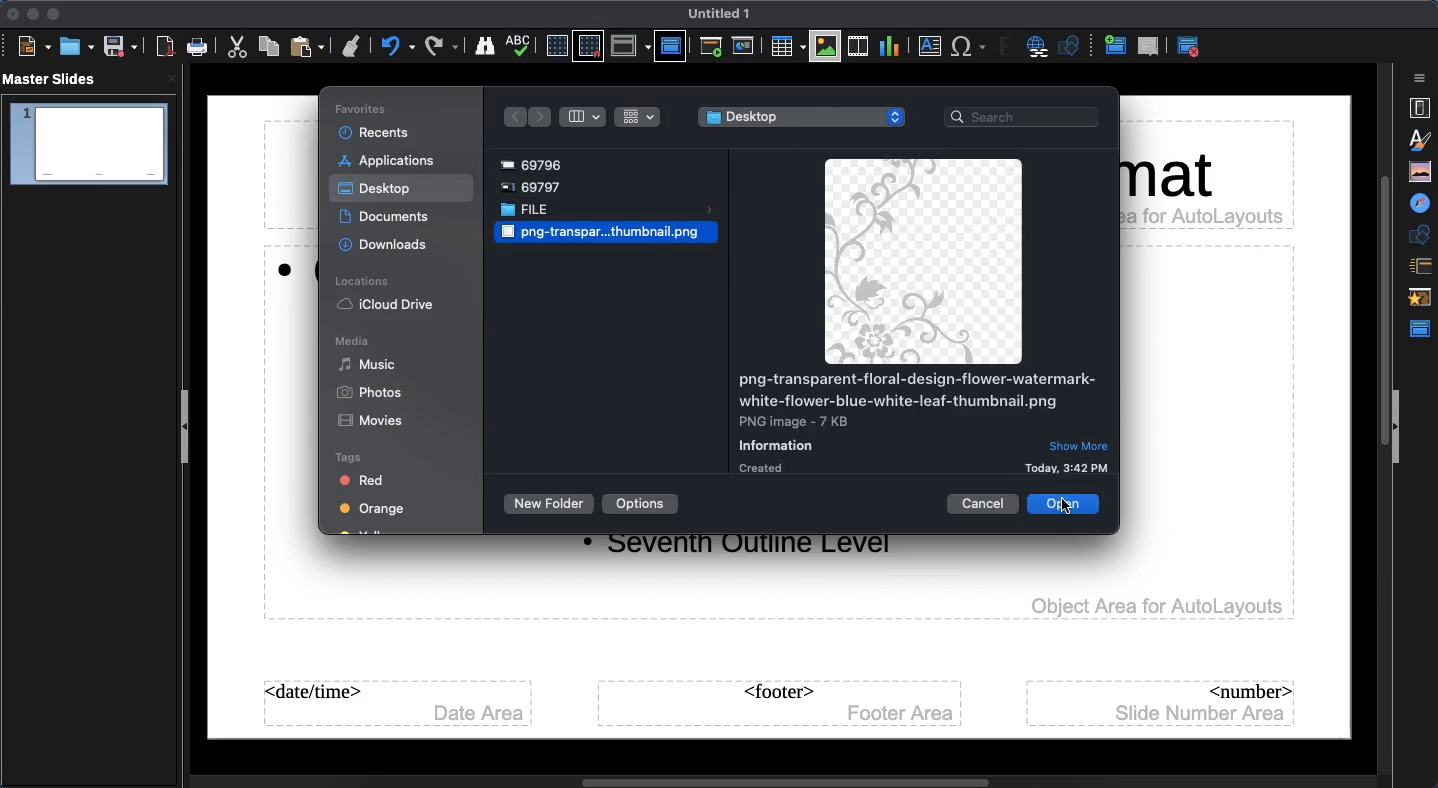 This screenshot has width=1438, height=788. What do you see at coordinates (1423, 329) in the screenshot?
I see `Master slide` at bounding box center [1423, 329].